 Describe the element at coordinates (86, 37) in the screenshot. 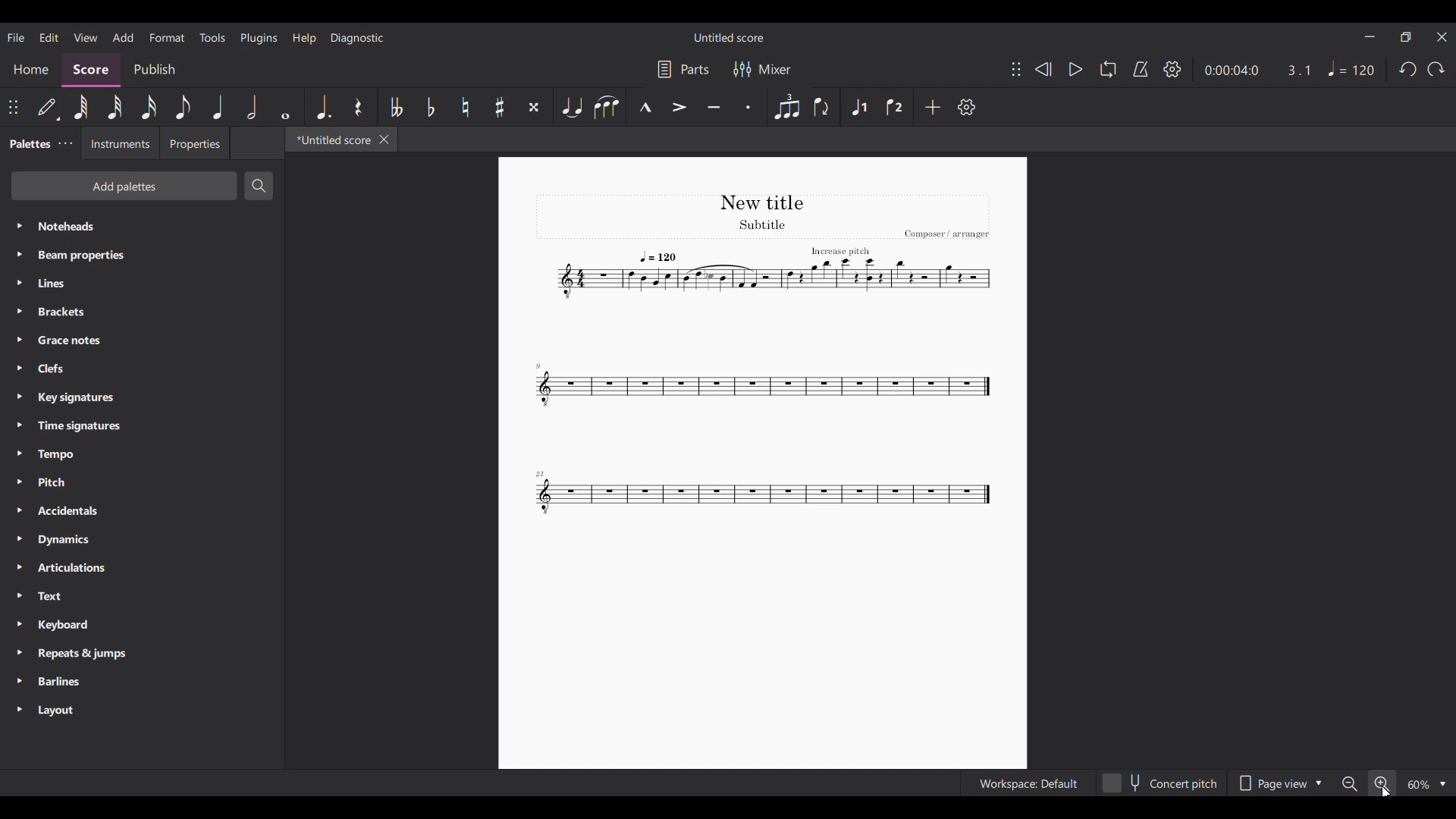

I see `View menu` at that location.